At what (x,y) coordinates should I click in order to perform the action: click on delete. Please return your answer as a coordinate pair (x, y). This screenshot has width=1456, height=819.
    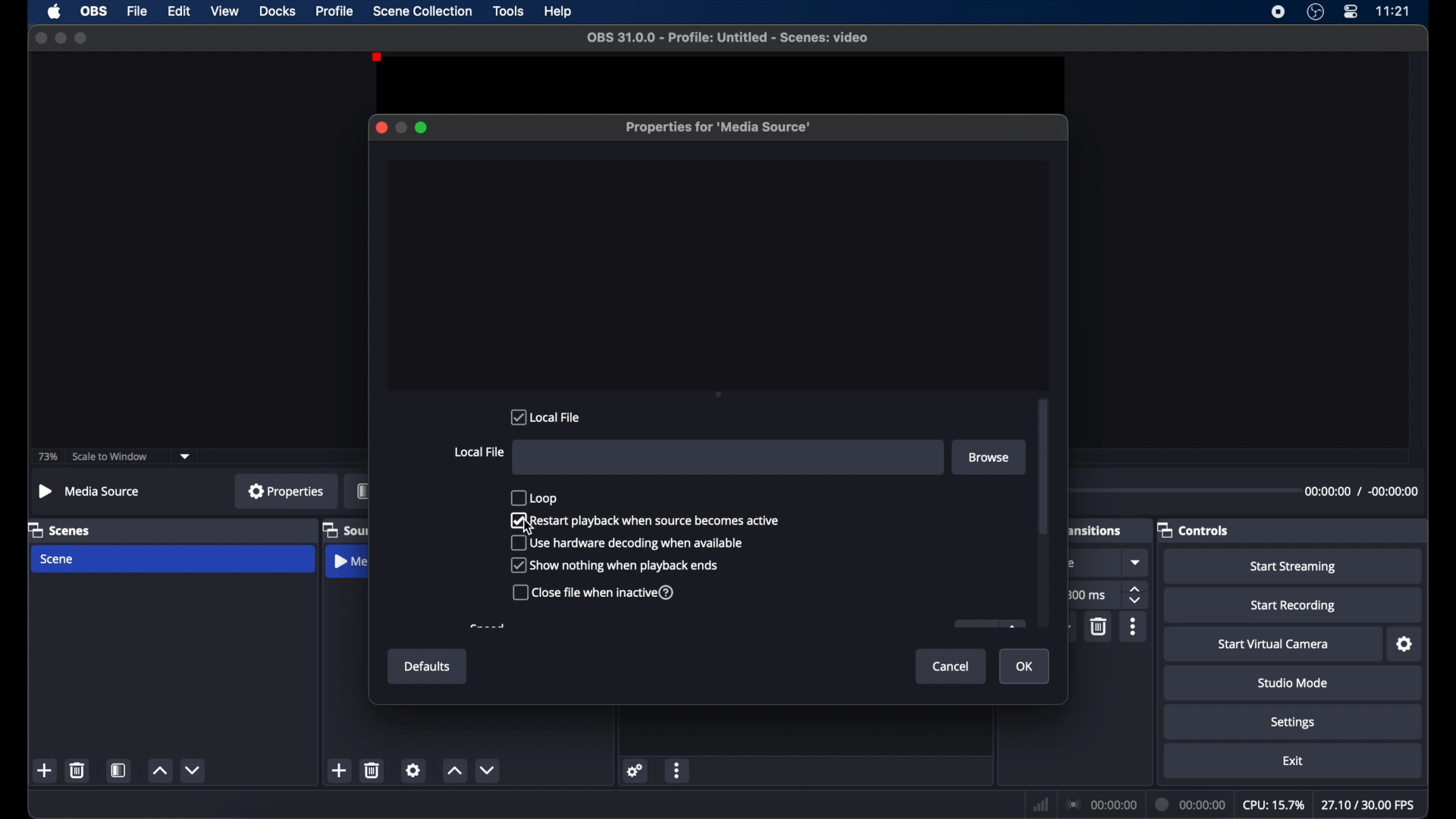
    Looking at the image, I should click on (373, 770).